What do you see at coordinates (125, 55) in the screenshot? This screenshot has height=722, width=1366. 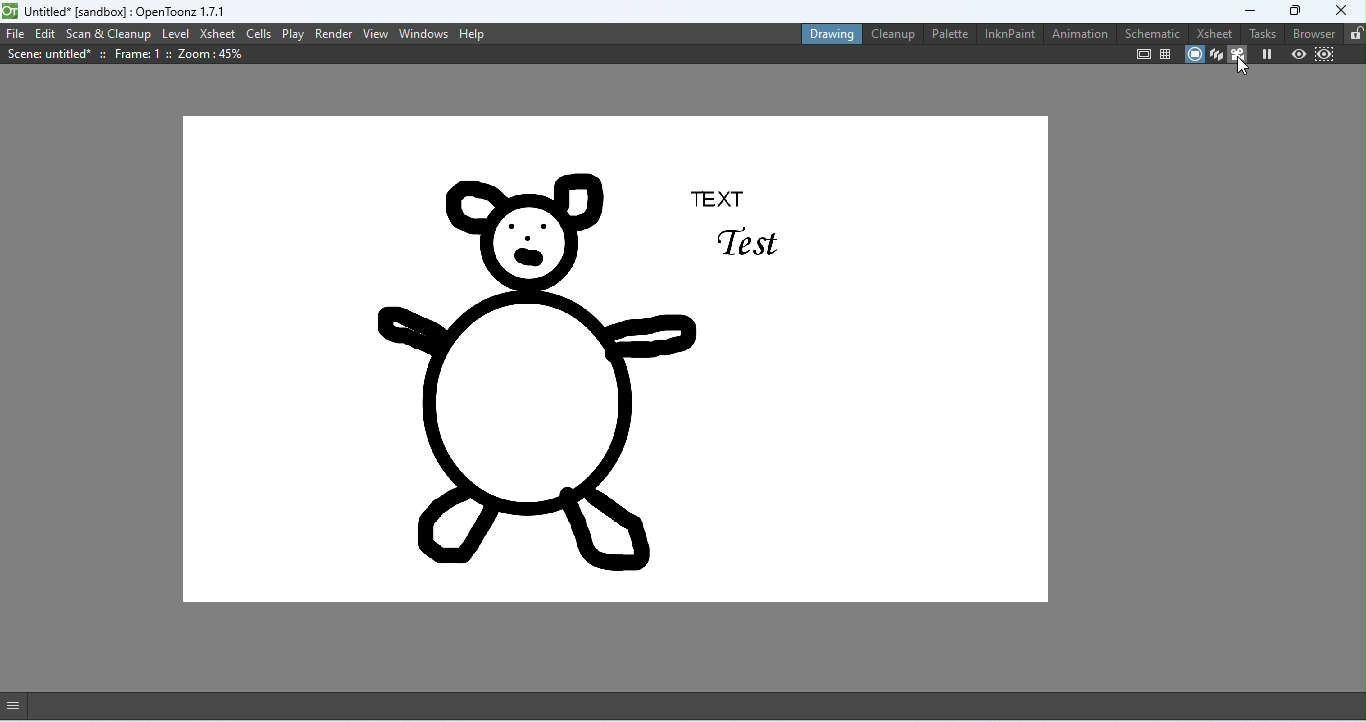 I see `scene details` at bounding box center [125, 55].